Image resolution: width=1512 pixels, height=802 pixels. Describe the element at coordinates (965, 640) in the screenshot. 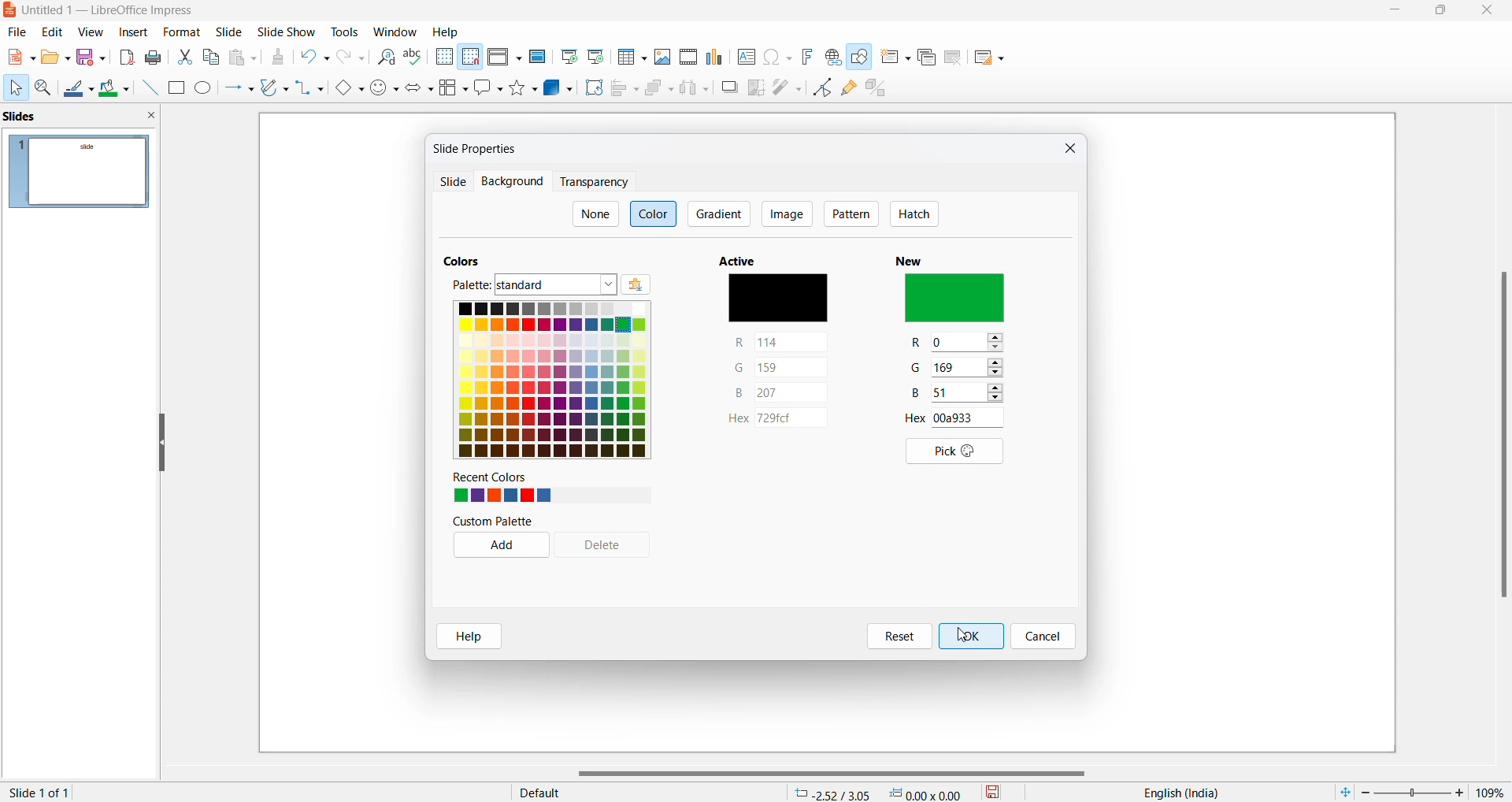

I see `cursor` at that location.